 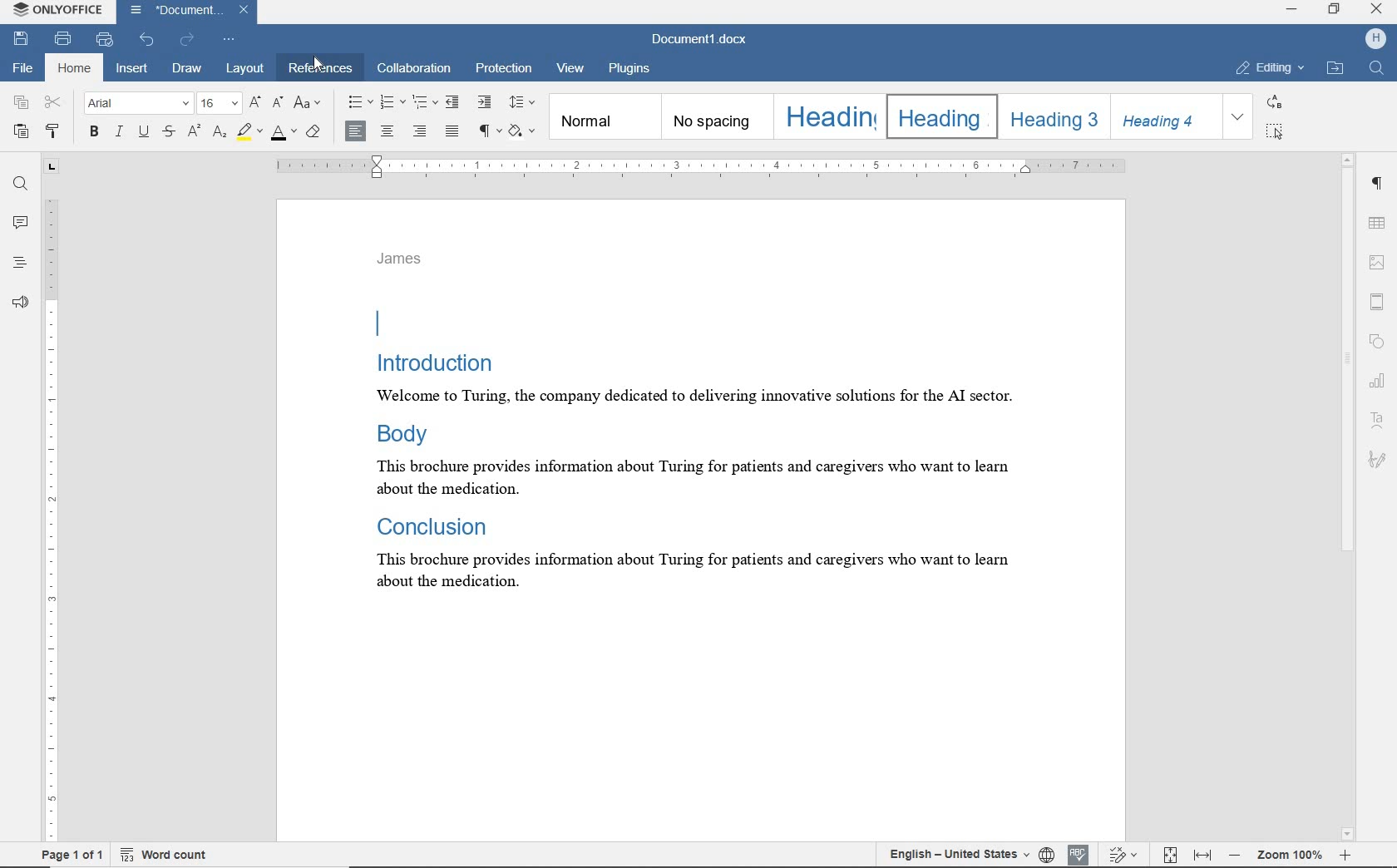 I want to click on shape, so click(x=1378, y=341).